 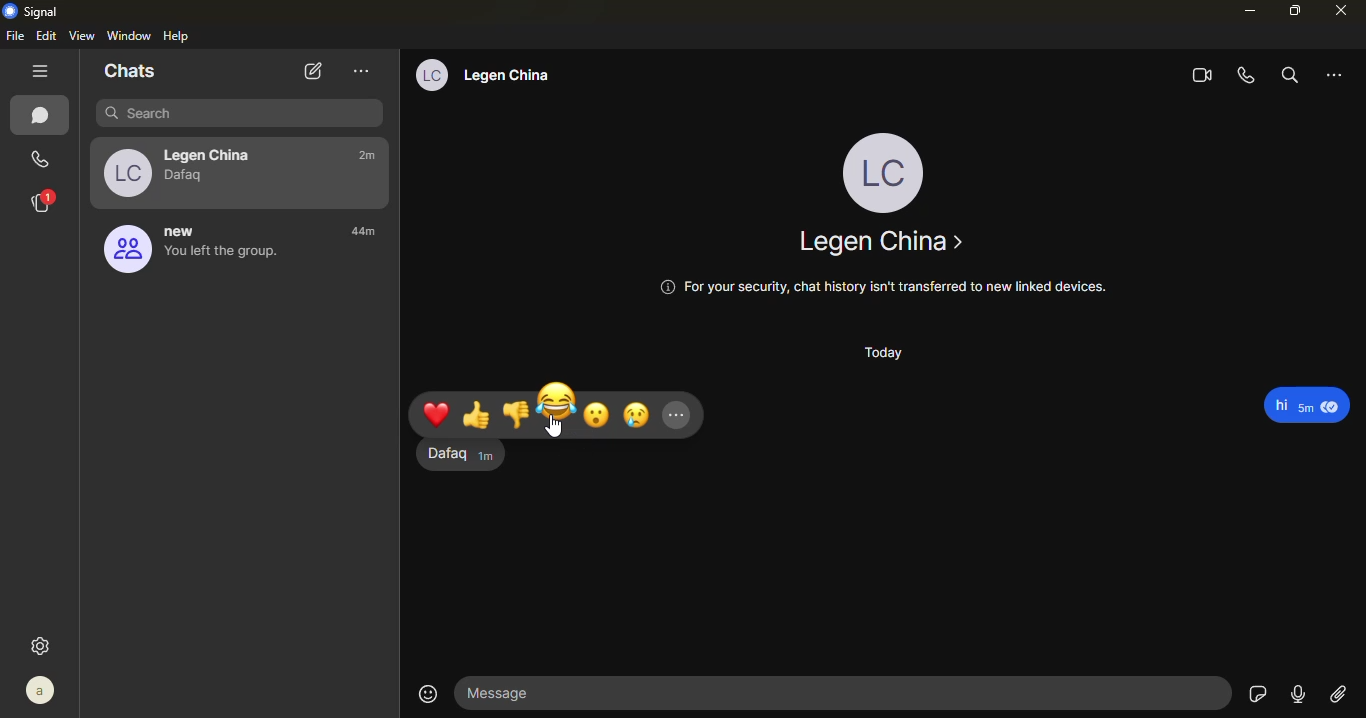 What do you see at coordinates (454, 458) in the screenshot?
I see `reply - Dafaq 1m` at bounding box center [454, 458].